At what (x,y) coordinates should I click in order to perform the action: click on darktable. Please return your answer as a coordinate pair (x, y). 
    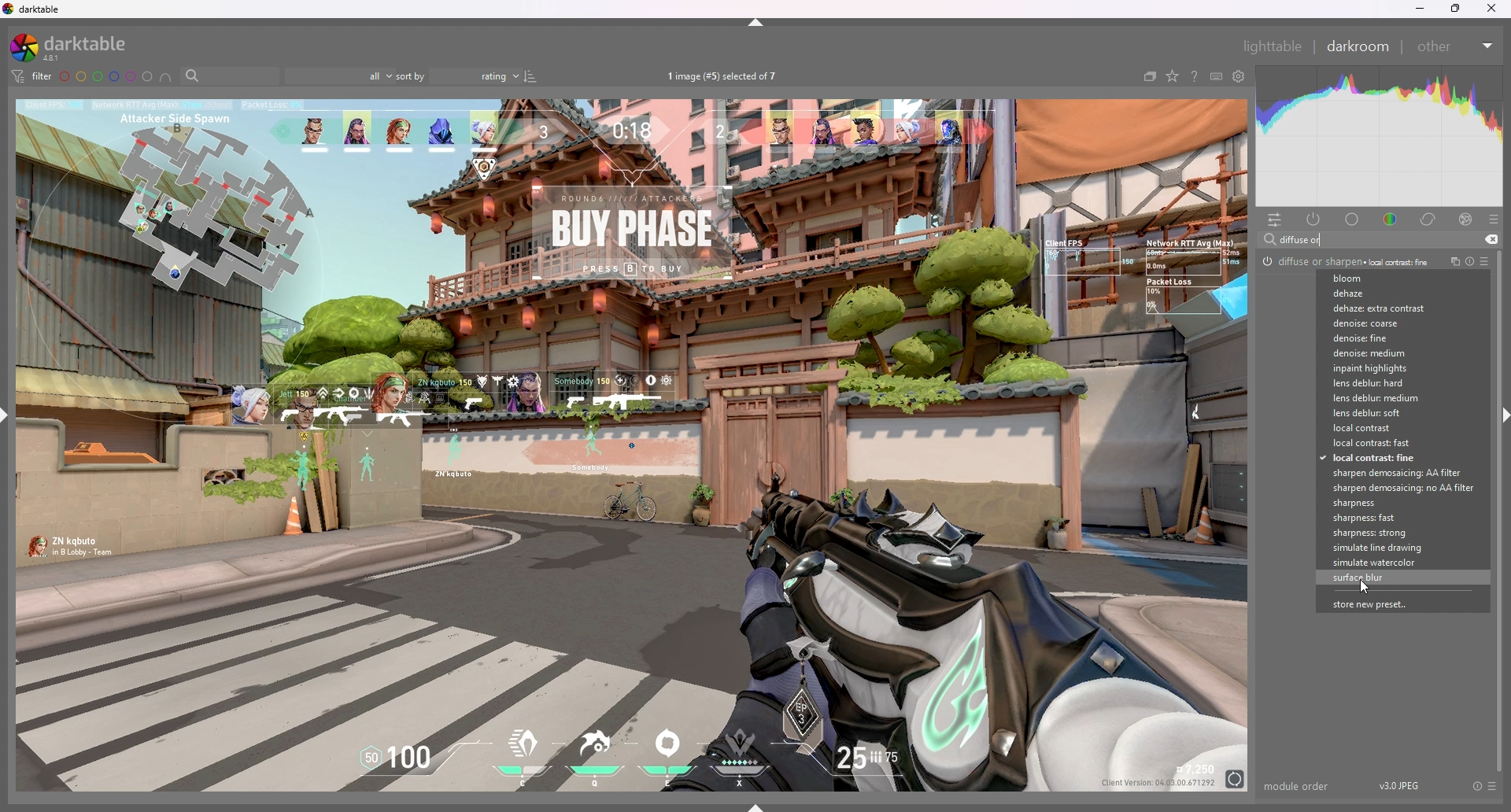
    Looking at the image, I should click on (35, 9).